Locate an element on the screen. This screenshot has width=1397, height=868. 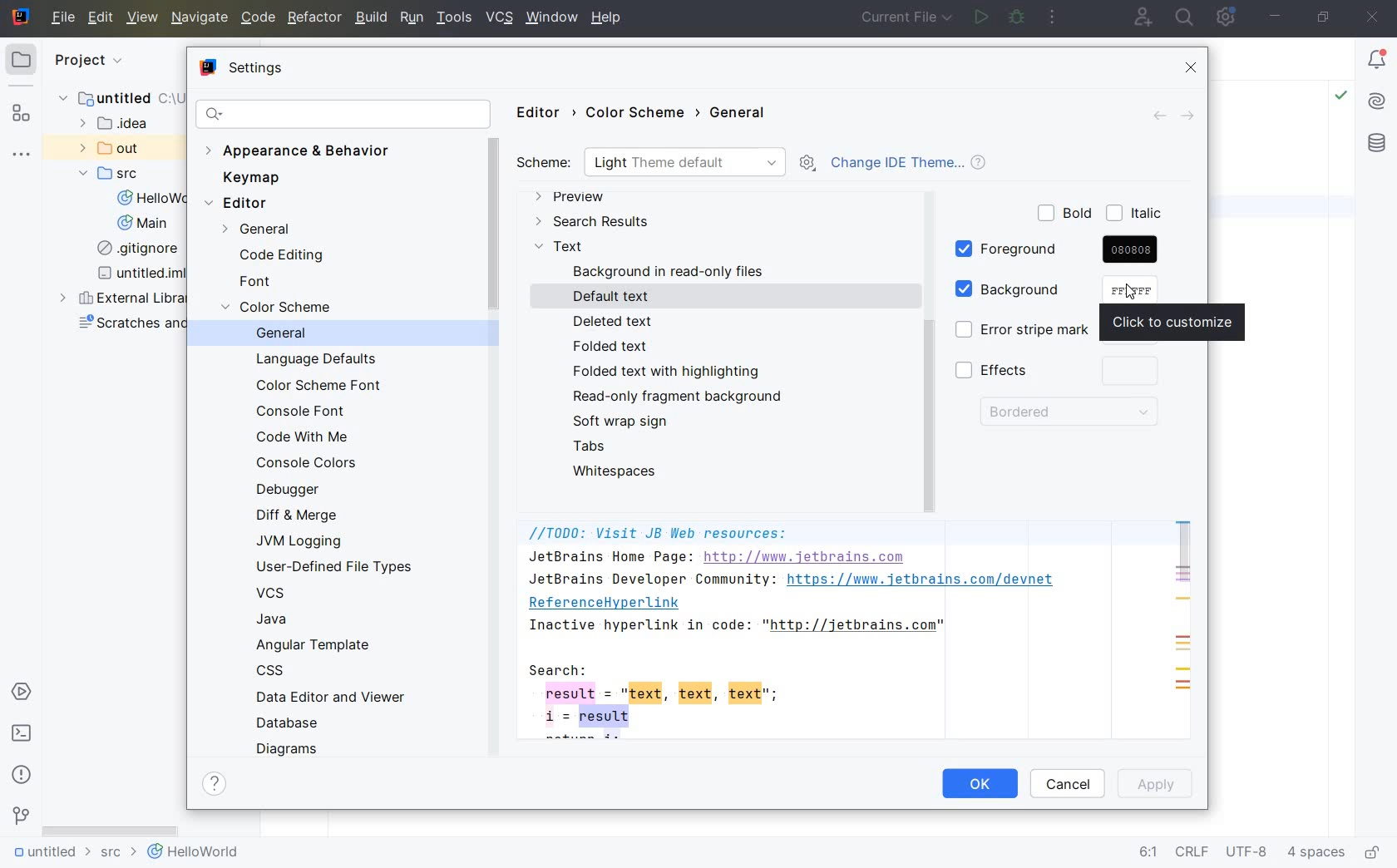
Highlight: All Problems is located at coordinates (1341, 97).